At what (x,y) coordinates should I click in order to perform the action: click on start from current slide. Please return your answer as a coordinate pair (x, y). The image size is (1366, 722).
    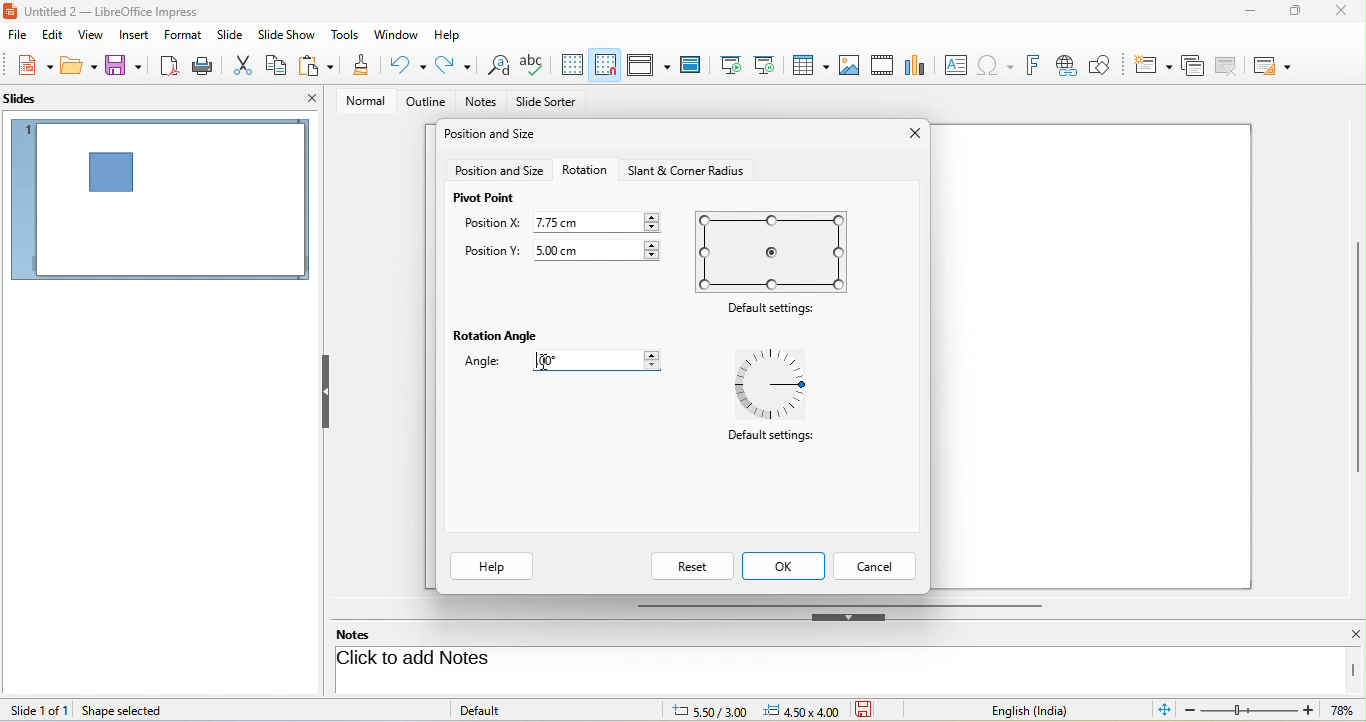
    Looking at the image, I should click on (770, 65).